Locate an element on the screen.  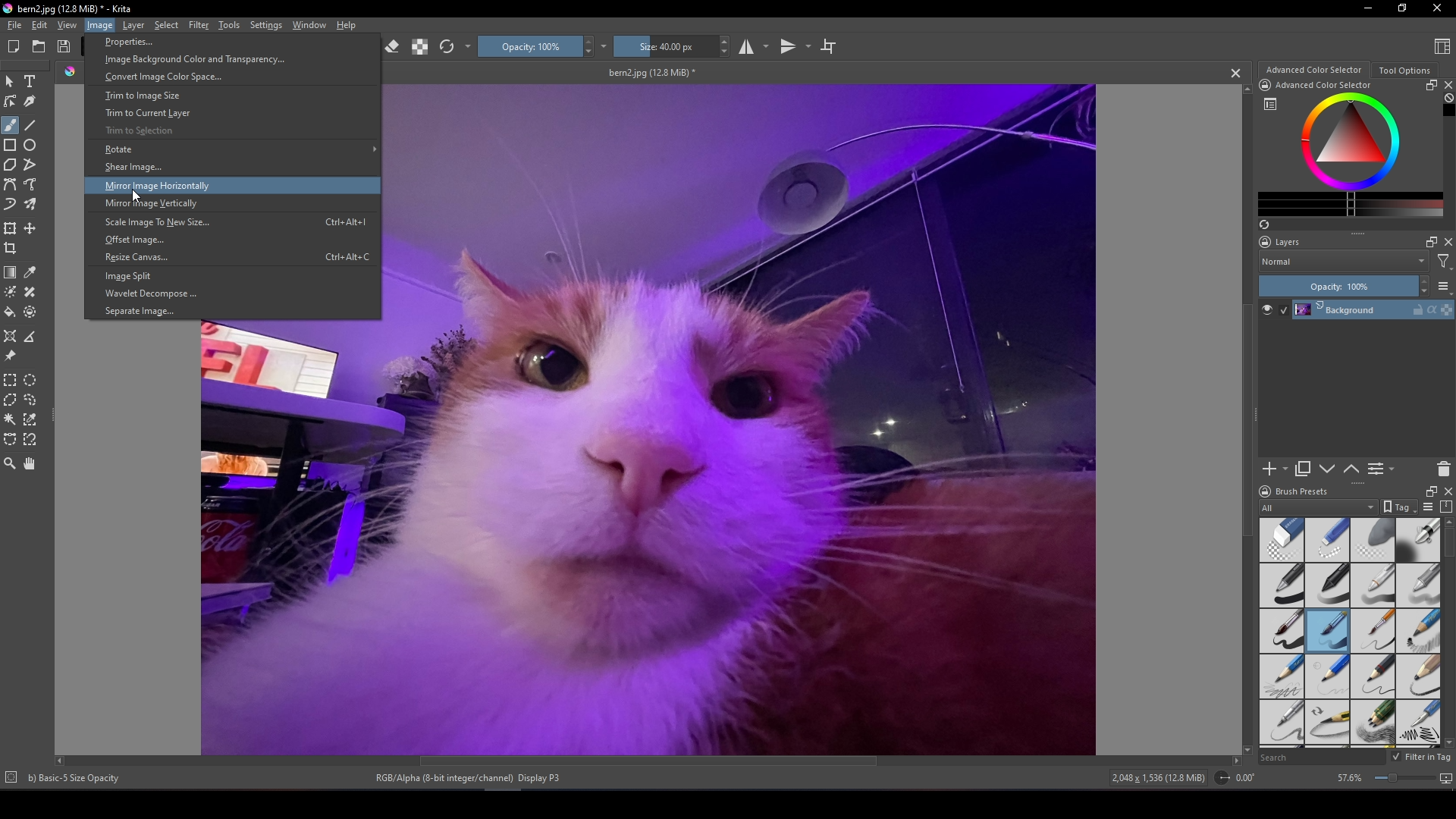
Icon is located at coordinates (71, 71).